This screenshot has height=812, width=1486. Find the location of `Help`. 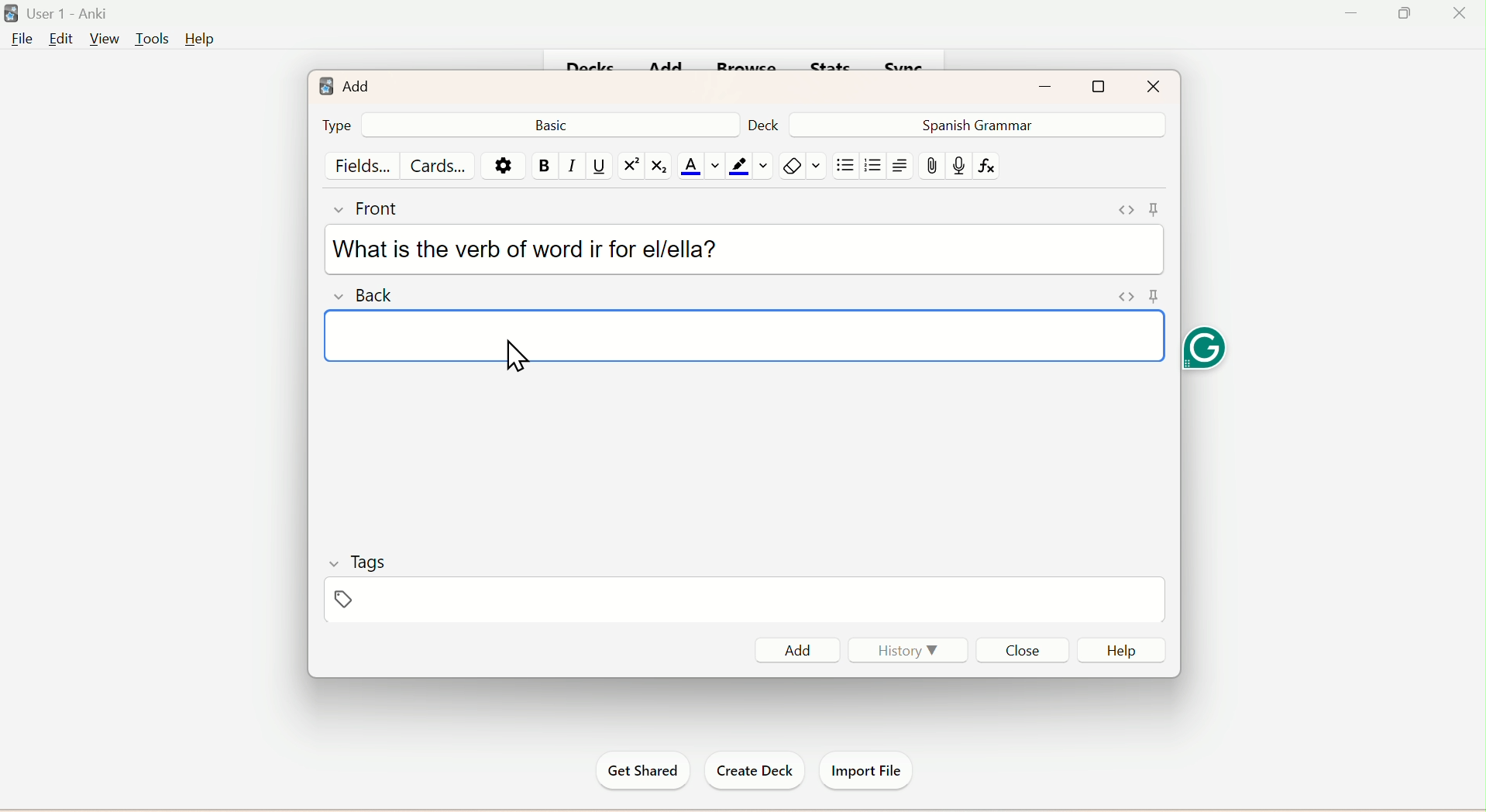

Help is located at coordinates (198, 40).